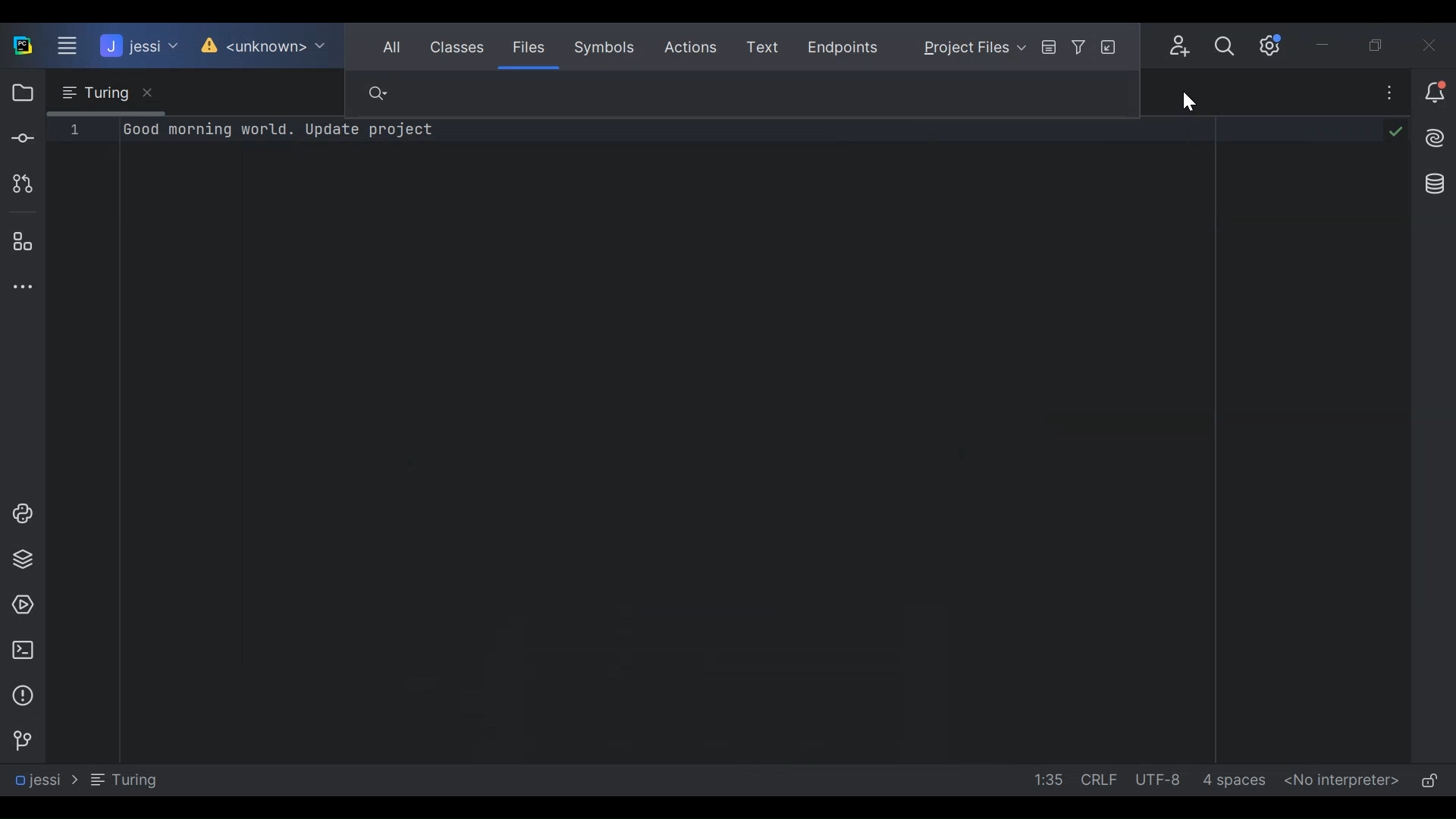  Describe the element at coordinates (1391, 91) in the screenshot. I see `more` at that location.